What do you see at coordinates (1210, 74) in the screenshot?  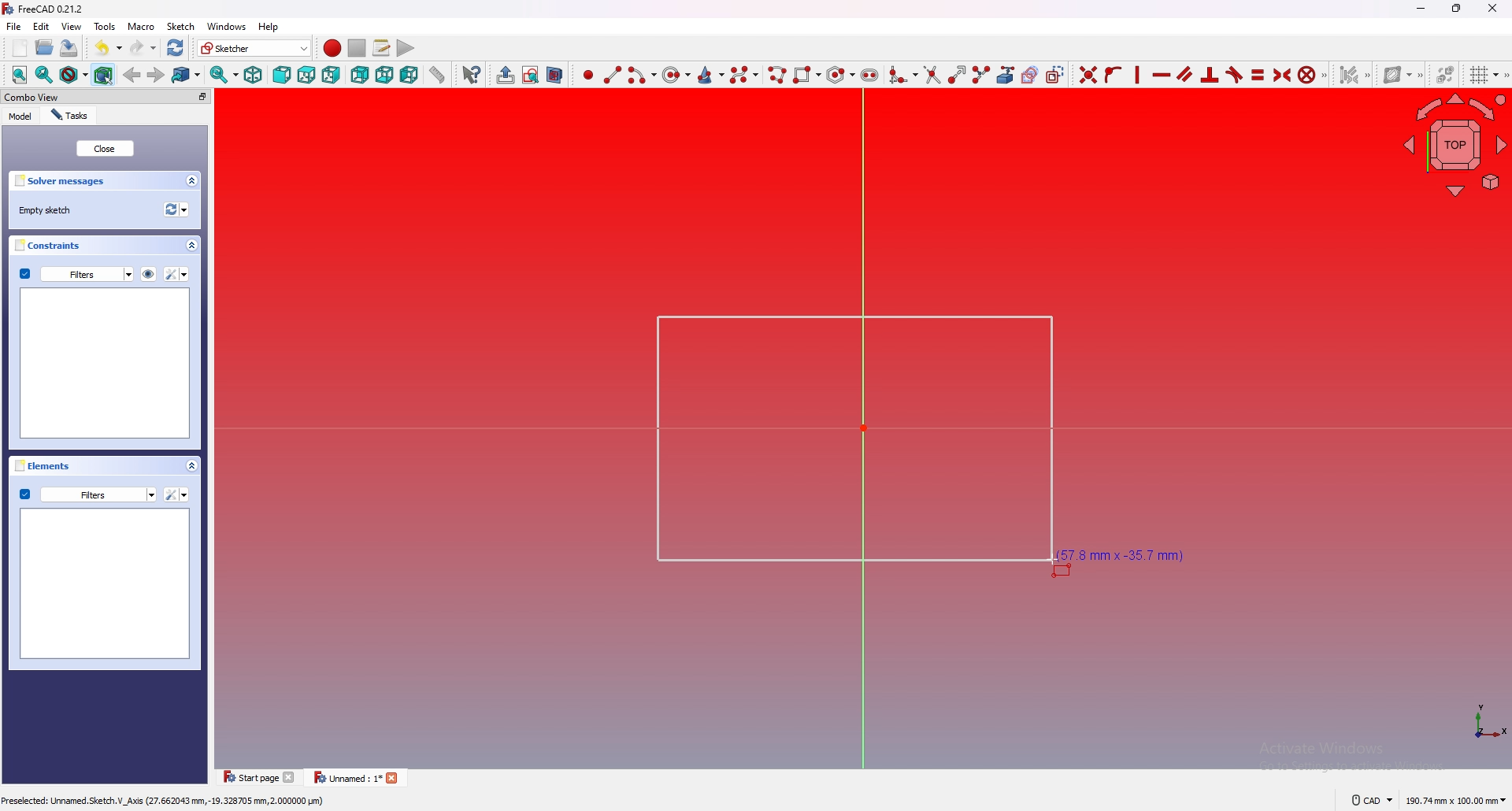 I see `constraint perpendicular` at bounding box center [1210, 74].